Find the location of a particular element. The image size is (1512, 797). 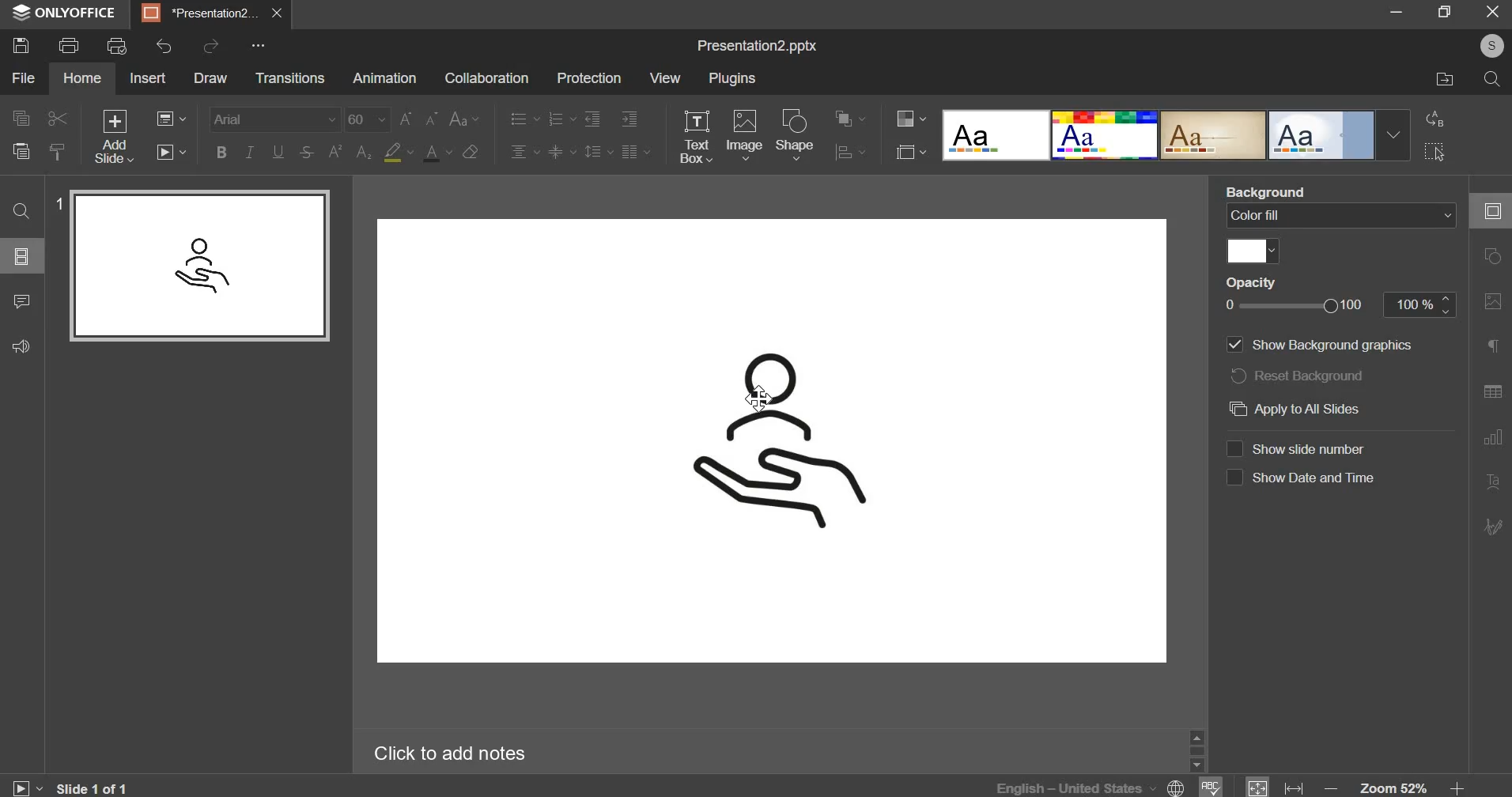

background is located at coordinates (1266, 185).